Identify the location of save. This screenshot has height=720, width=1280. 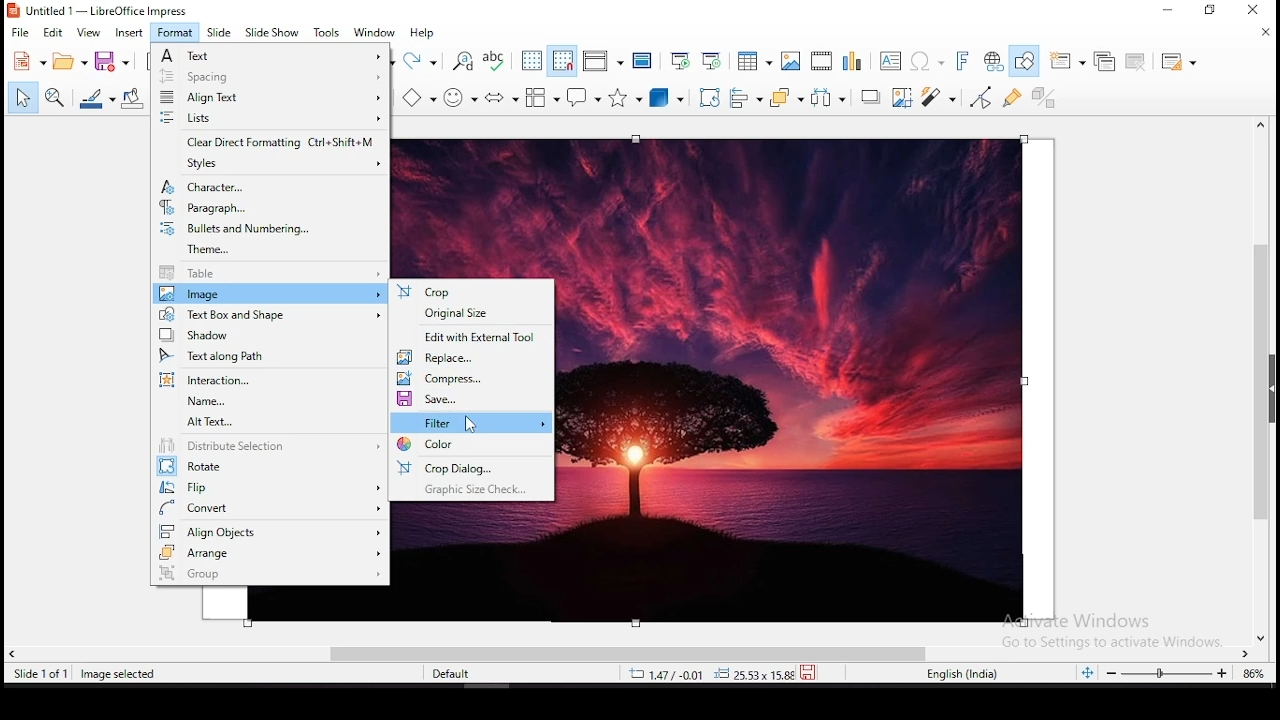
(811, 671).